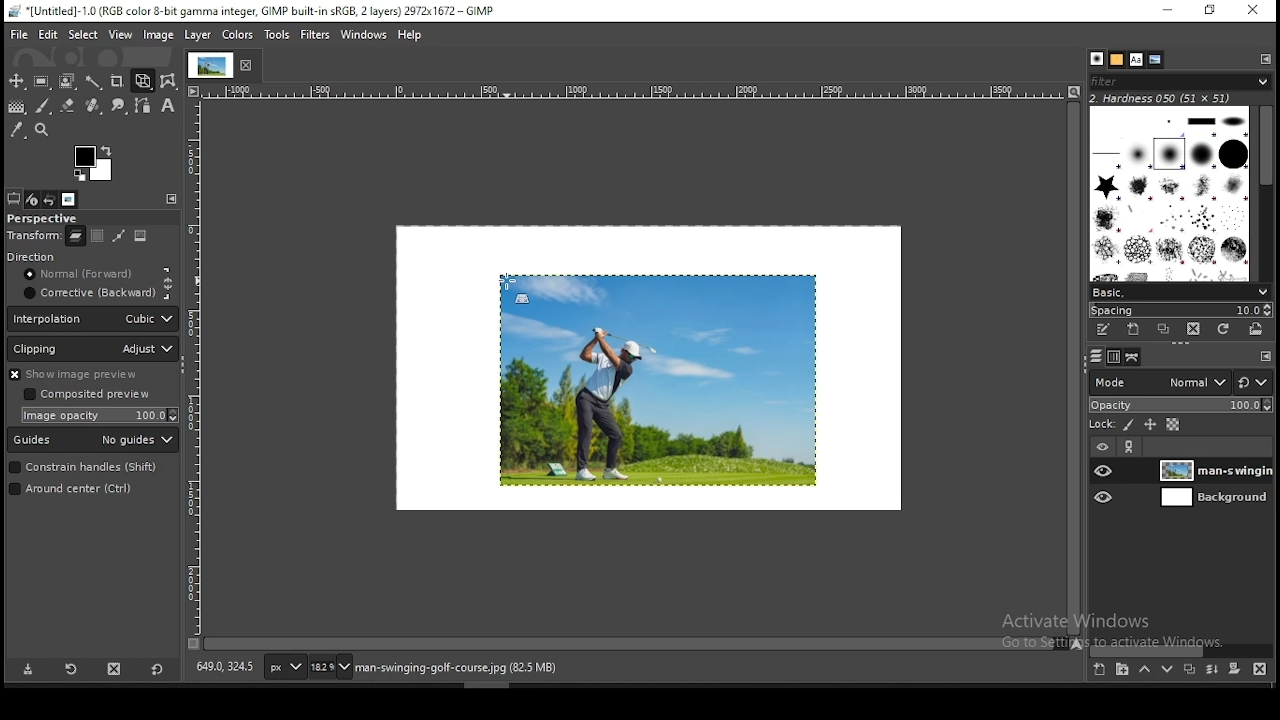 This screenshot has width=1280, height=720. Describe the element at coordinates (97, 236) in the screenshot. I see `move layer` at that location.